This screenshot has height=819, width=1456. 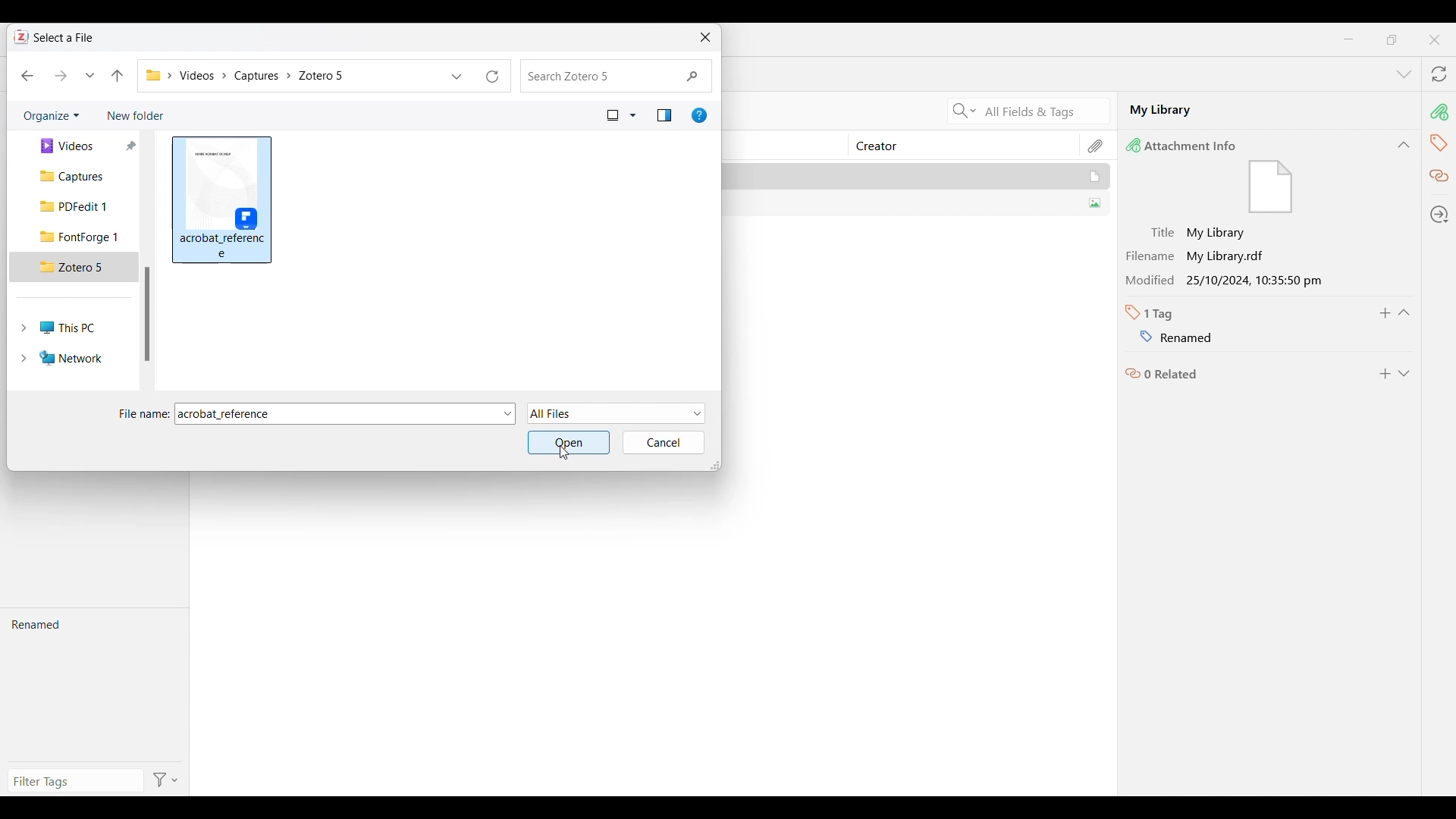 What do you see at coordinates (1348, 39) in the screenshot?
I see `Minimize` at bounding box center [1348, 39].